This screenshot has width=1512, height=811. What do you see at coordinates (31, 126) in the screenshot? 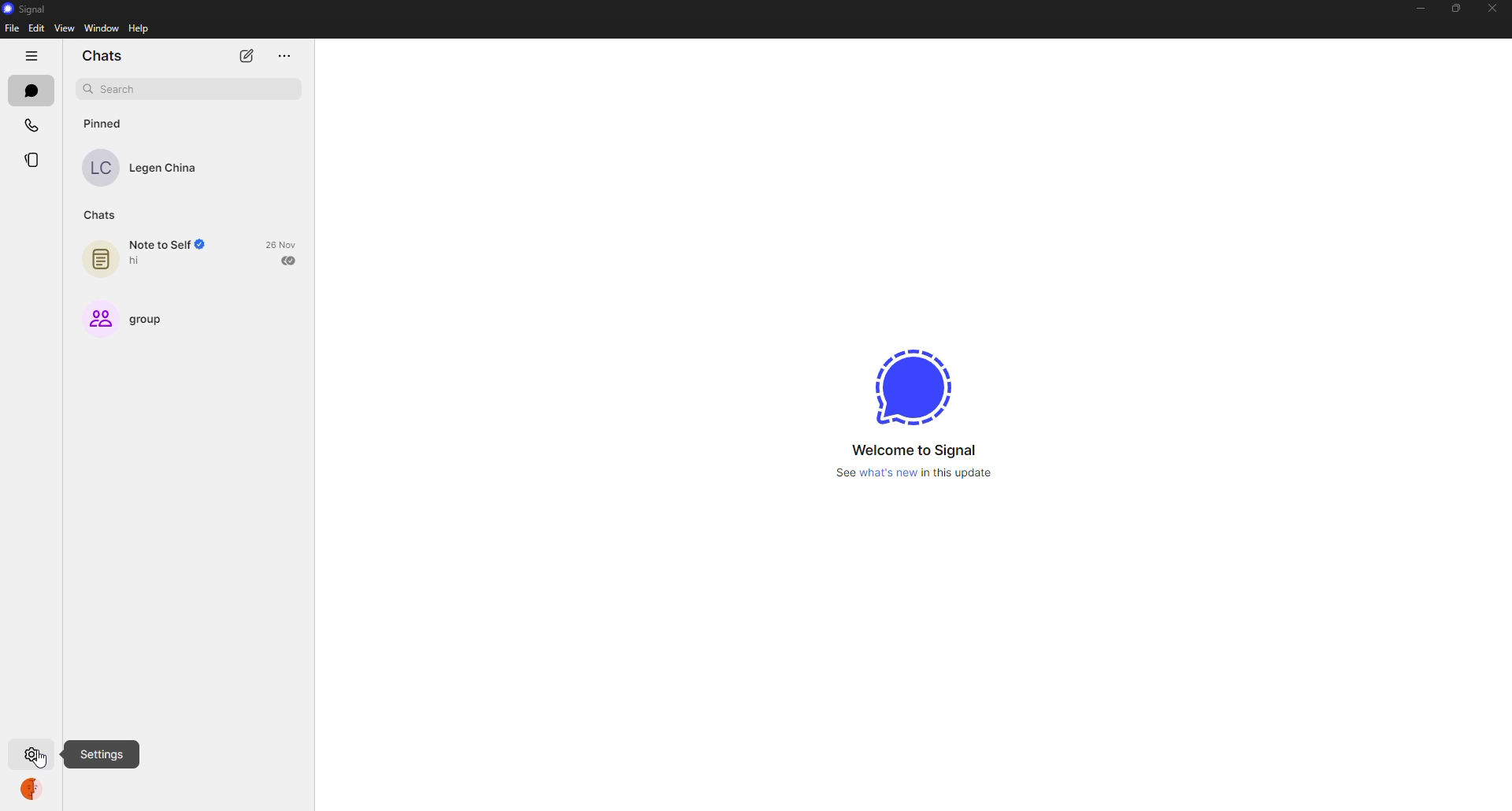
I see `calls` at bounding box center [31, 126].